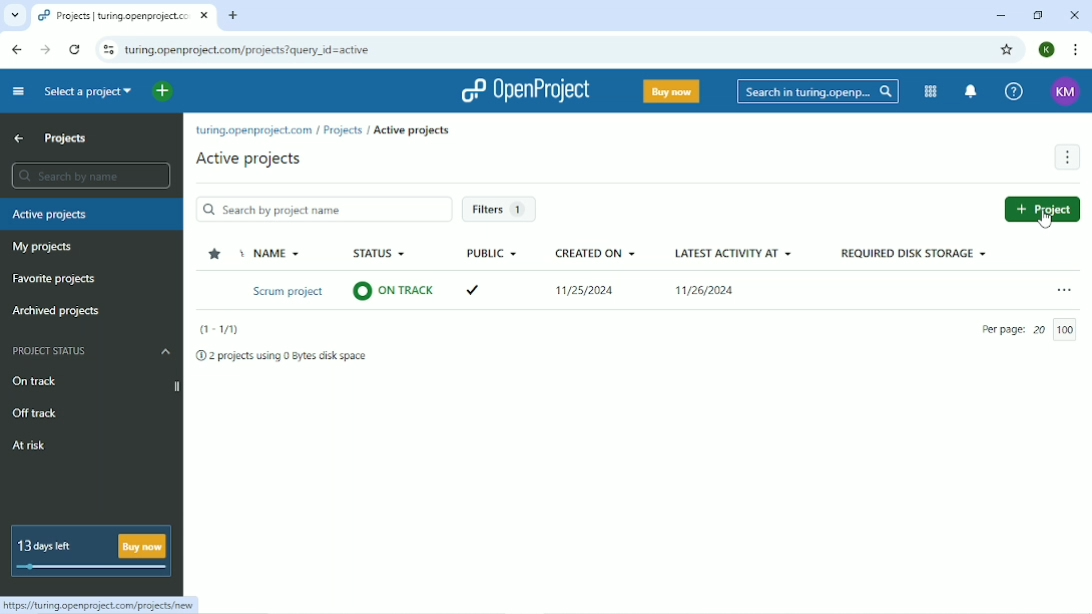 The image size is (1092, 614). What do you see at coordinates (505, 211) in the screenshot?
I see `Filters 1` at bounding box center [505, 211].